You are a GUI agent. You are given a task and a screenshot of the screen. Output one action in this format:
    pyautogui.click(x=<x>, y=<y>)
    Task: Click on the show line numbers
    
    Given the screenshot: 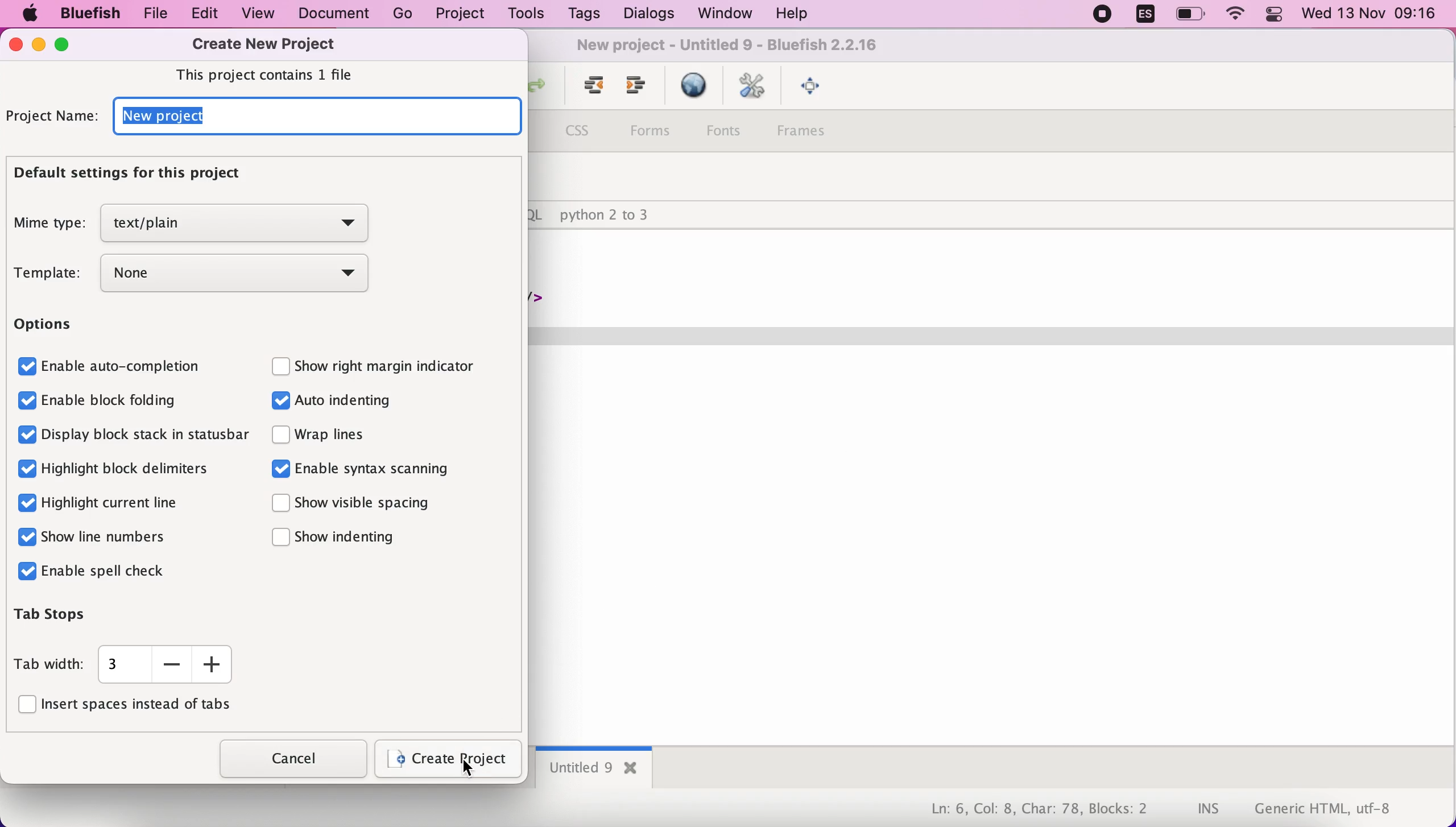 What is the action you would take?
    pyautogui.click(x=98, y=538)
    